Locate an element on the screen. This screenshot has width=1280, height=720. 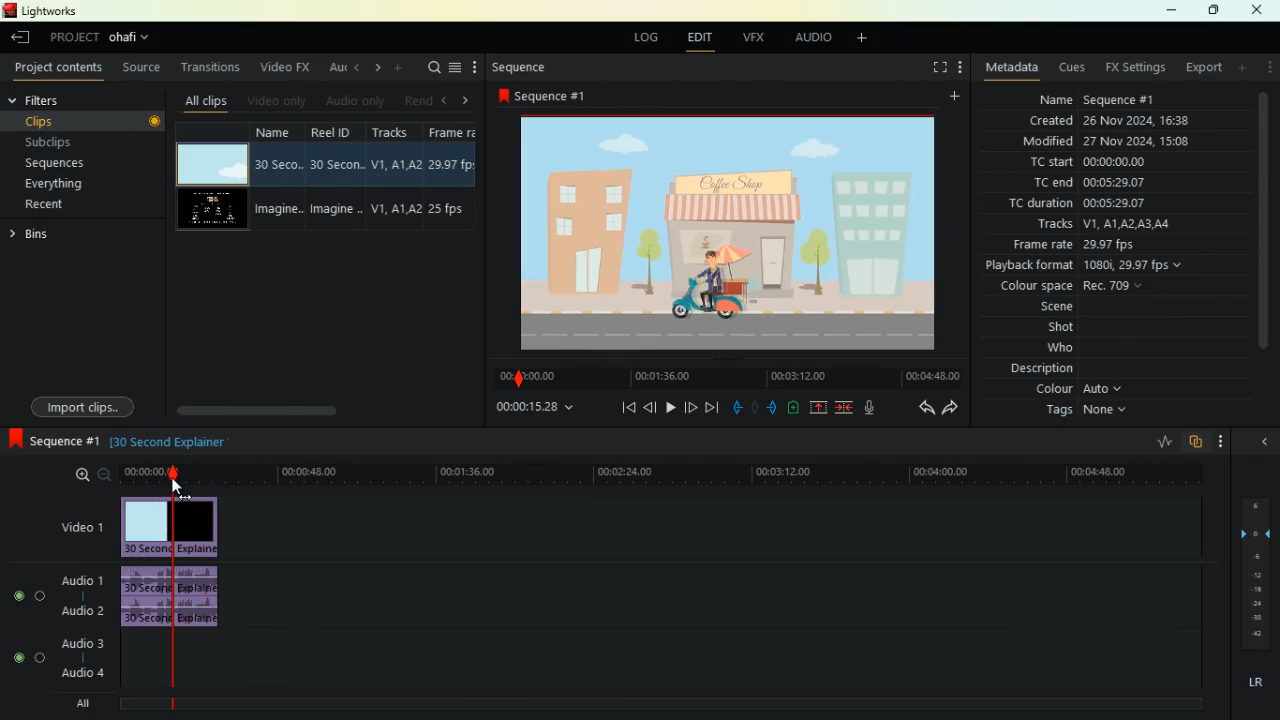
name is located at coordinates (1058, 101).